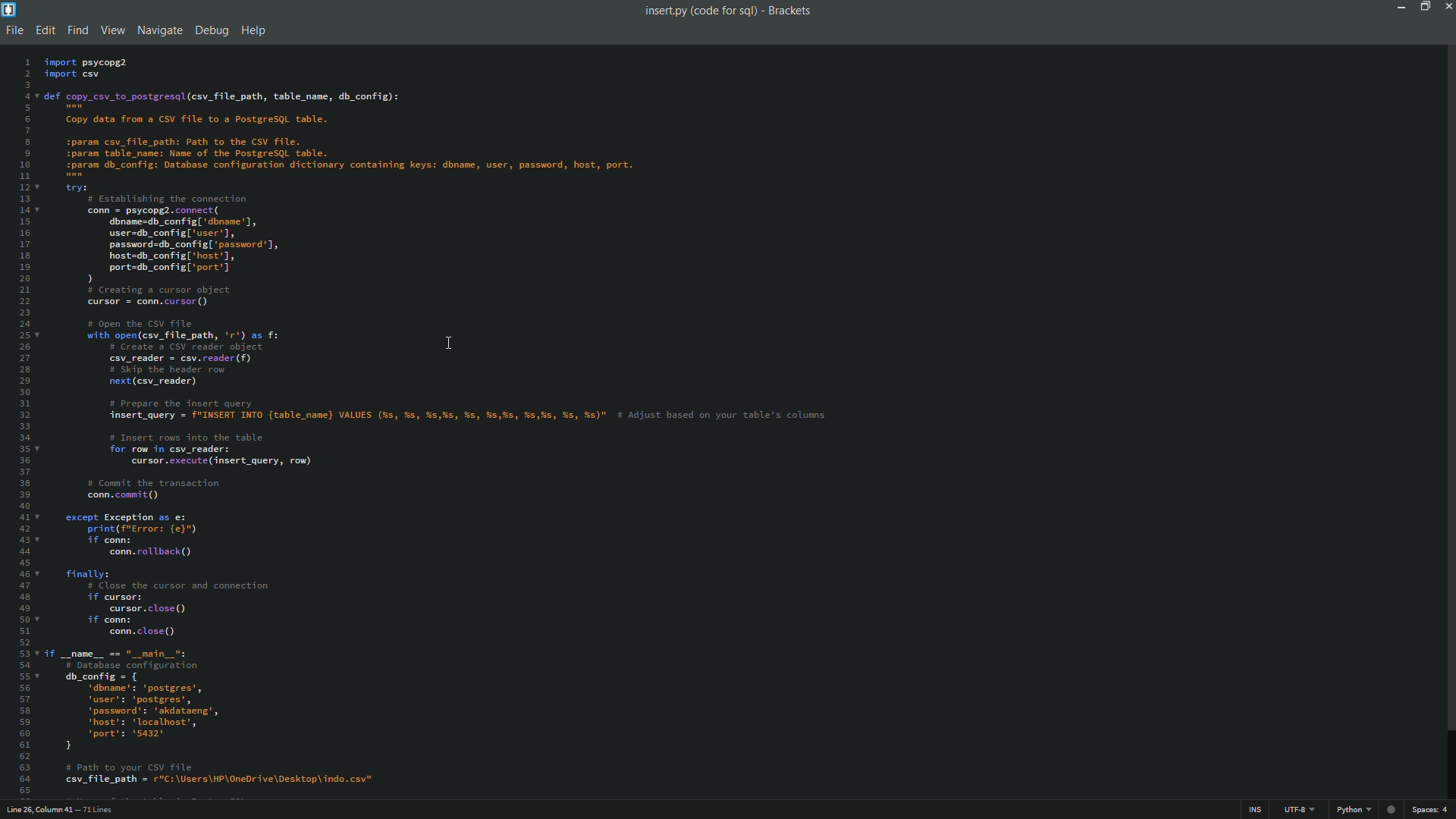 The width and height of the screenshot is (1456, 819). What do you see at coordinates (1432, 812) in the screenshot?
I see `spaces` at bounding box center [1432, 812].